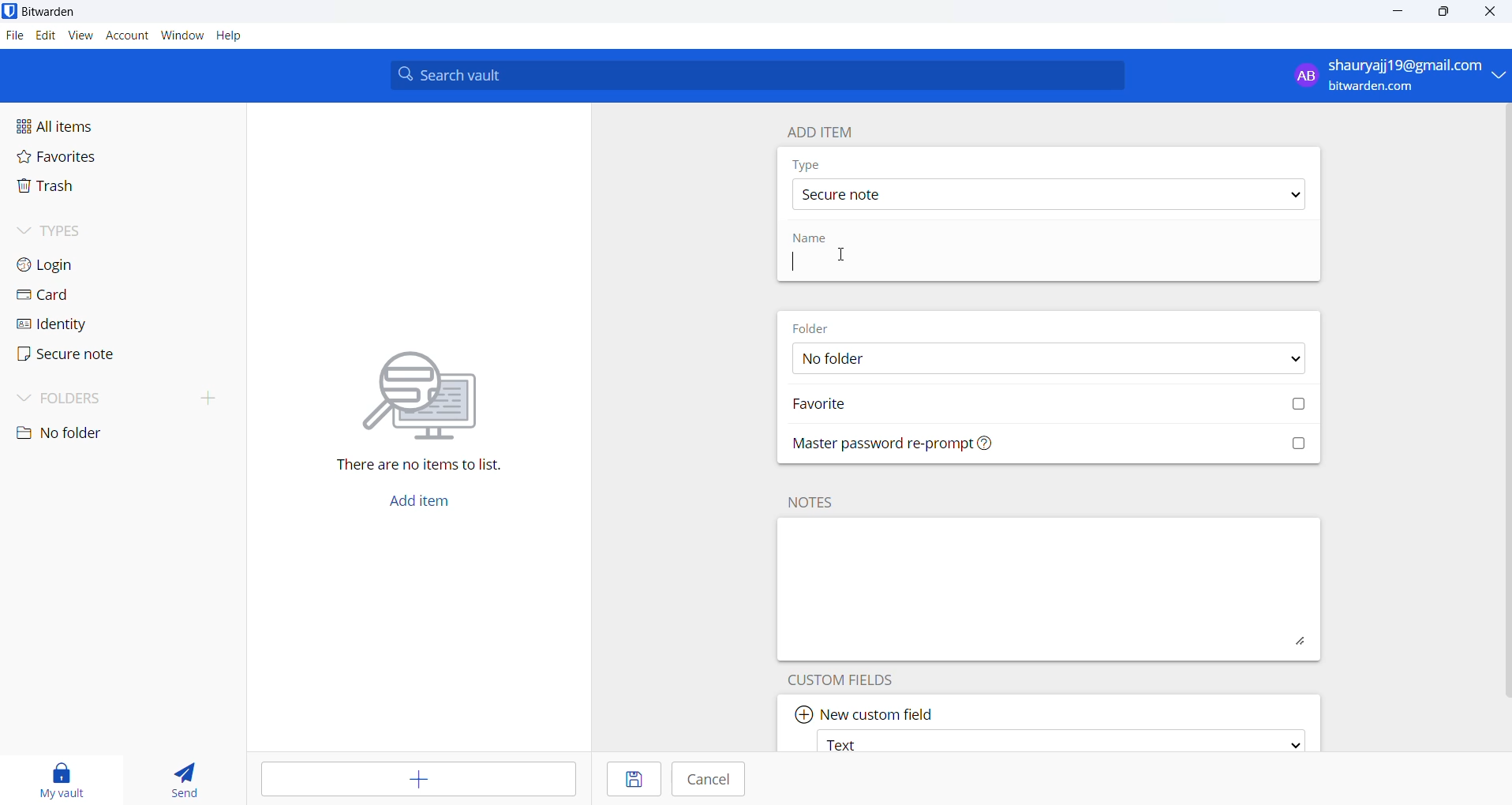  Describe the element at coordinates (1509, 401) in the screenshot. I see `scrollbar` at that location.